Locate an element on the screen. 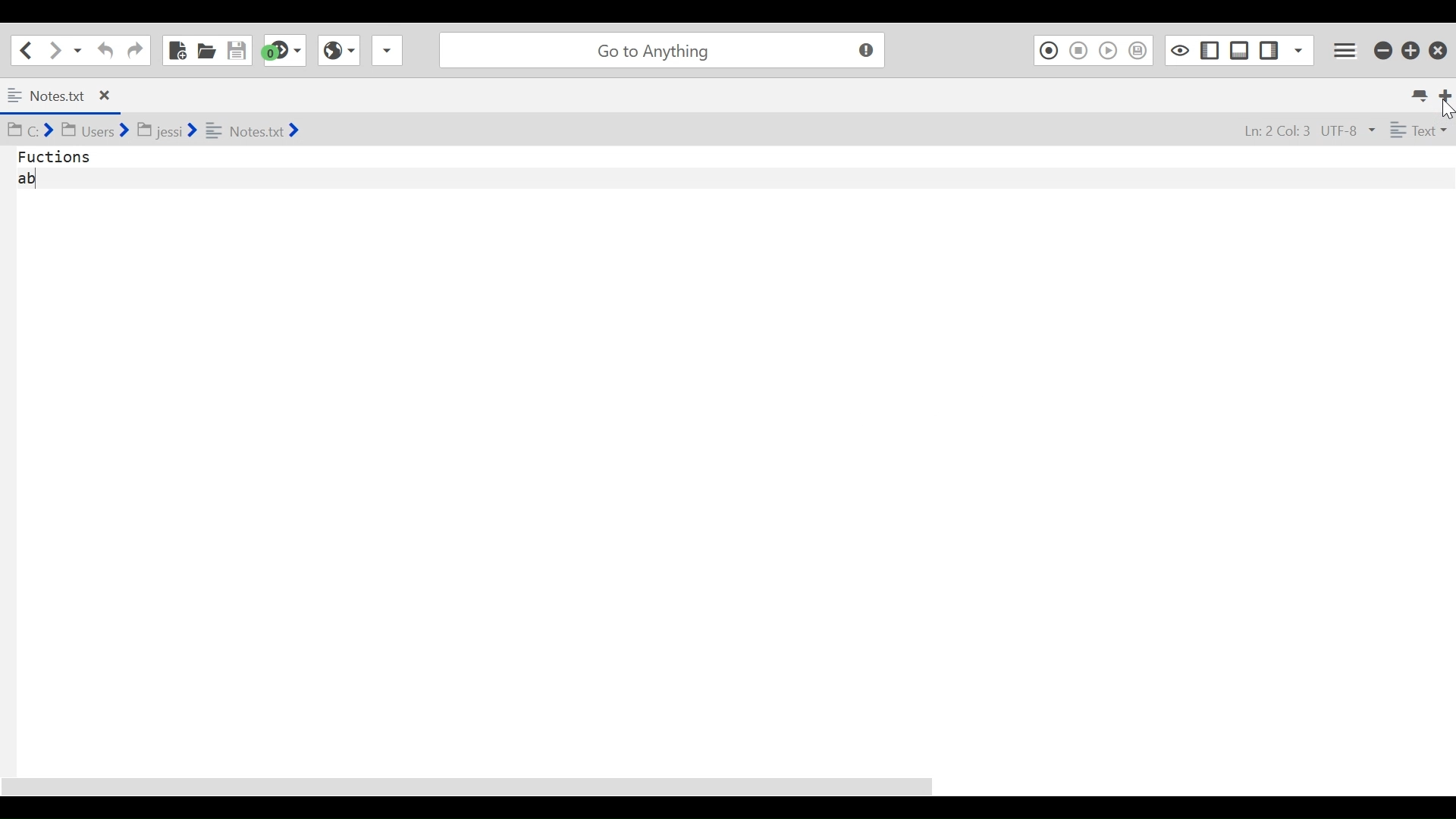 This screenshot has width=1456, height=819. View Browser is located at coordinates (339, 51).